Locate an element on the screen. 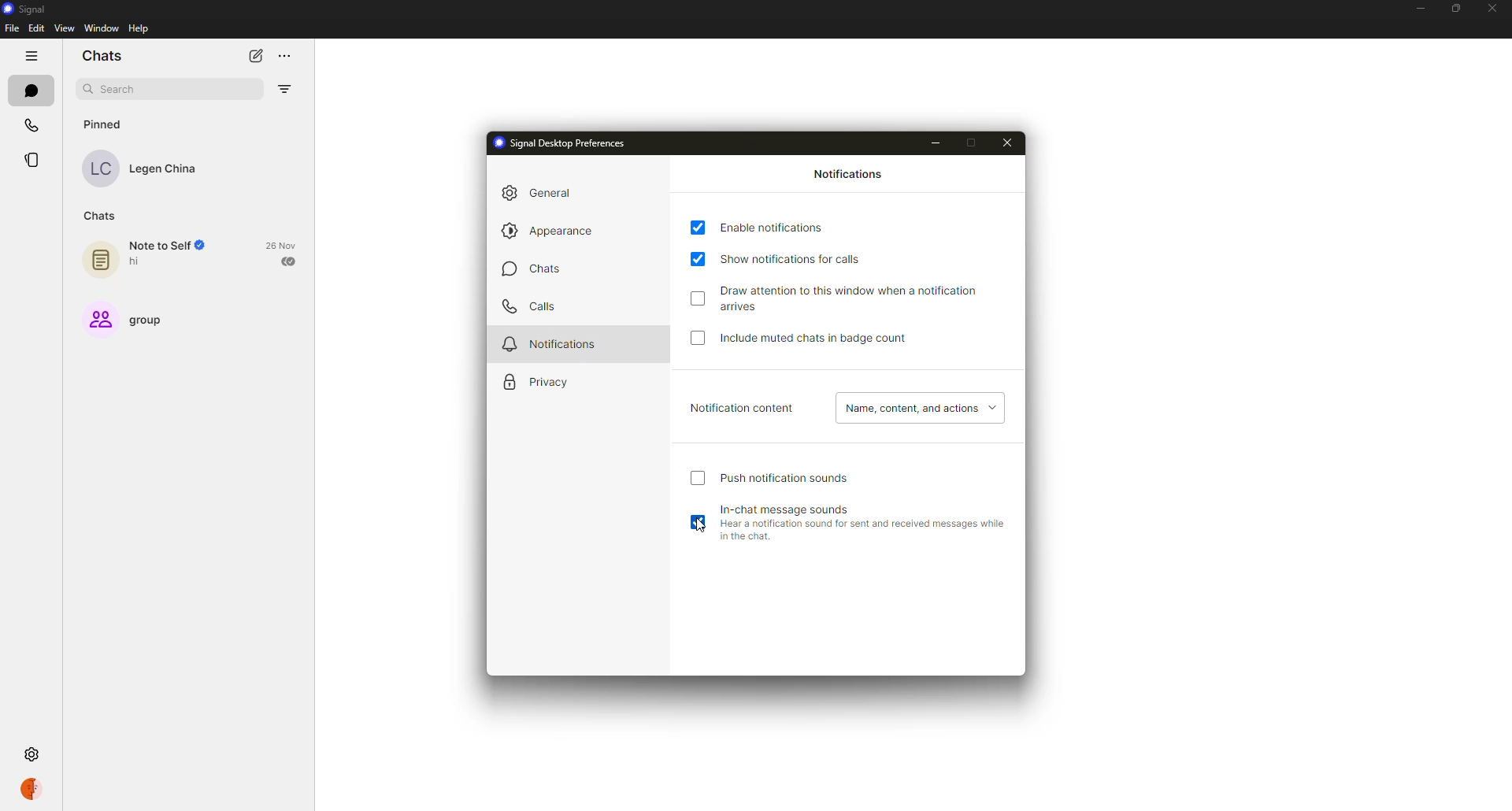 The width and height of the screenshot is (1512, 811). close is located at coordinates (1008, 141).